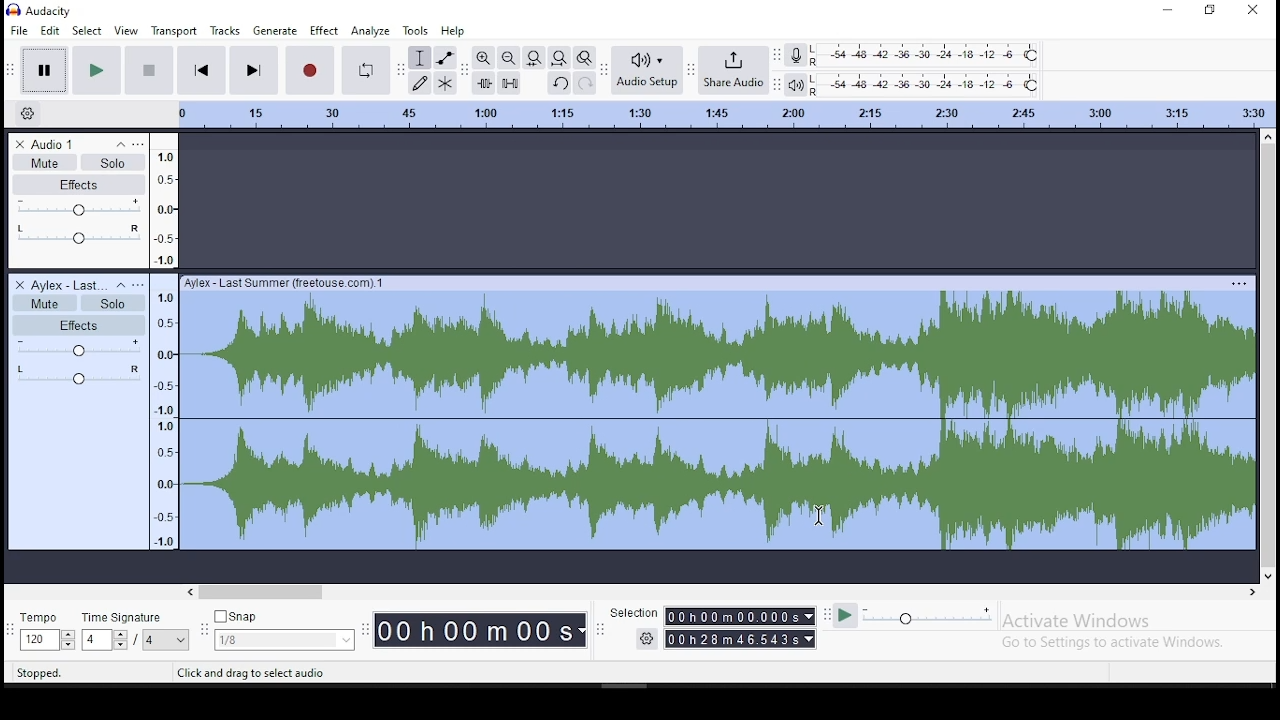 The height and width of the screenshot is (720, 1280). Describe the element at coordinates (70, 144) in the screenshot. I see `audio track name` at that location.